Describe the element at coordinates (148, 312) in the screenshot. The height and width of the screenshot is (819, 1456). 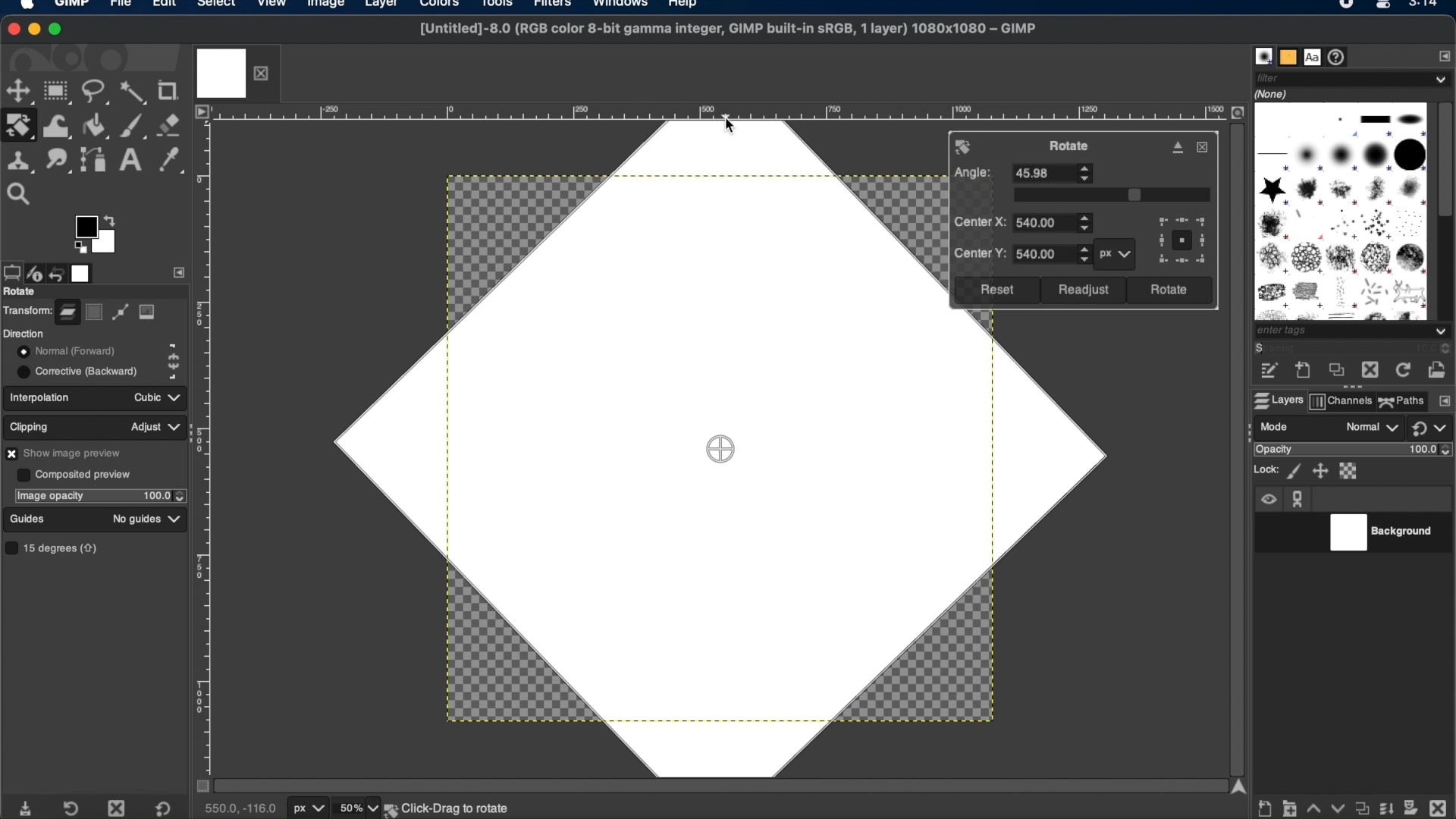
I see `image ` at that location.